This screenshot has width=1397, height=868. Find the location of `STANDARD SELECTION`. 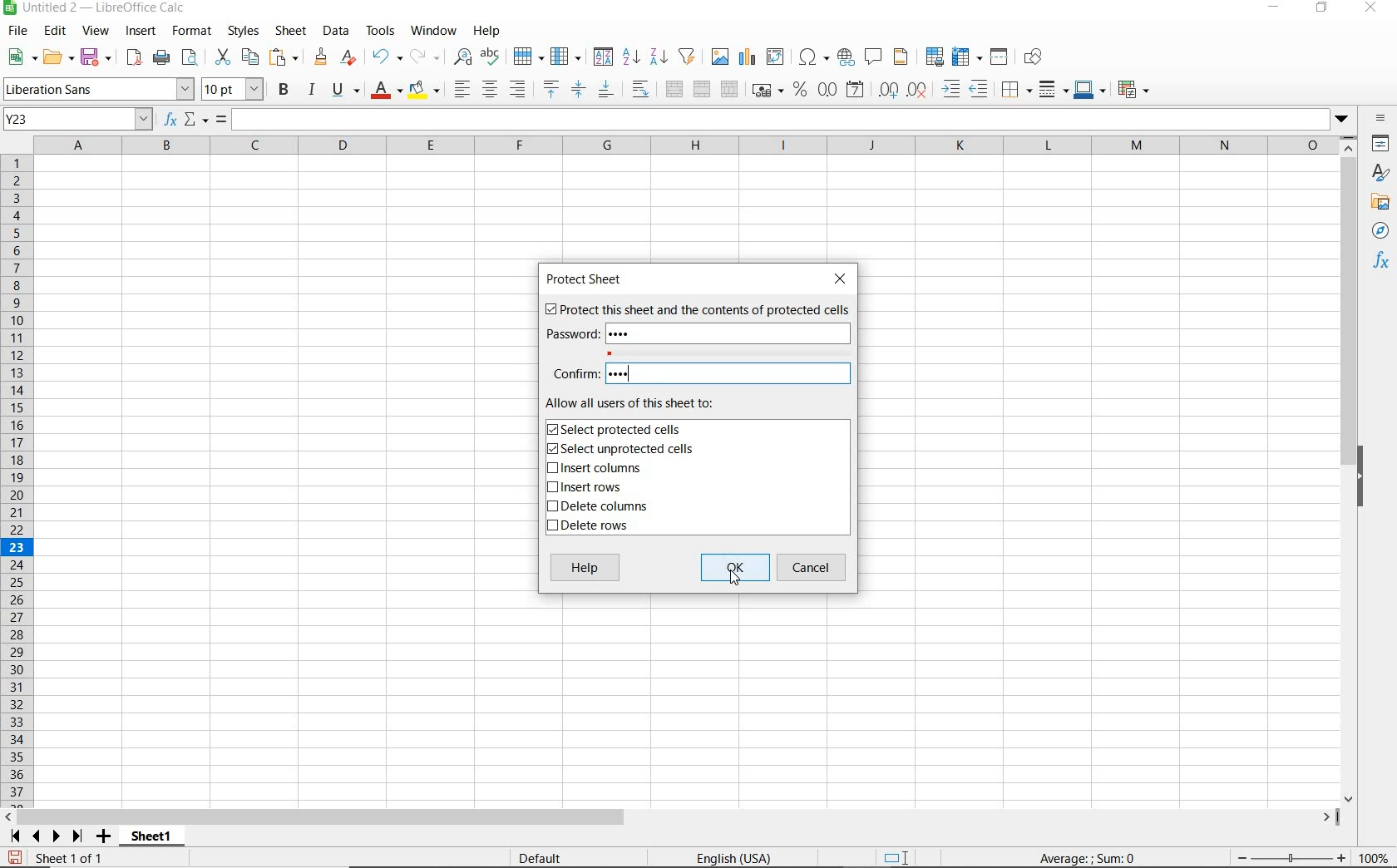

STANDARD SELECTION is located at coordinates (897, 858).